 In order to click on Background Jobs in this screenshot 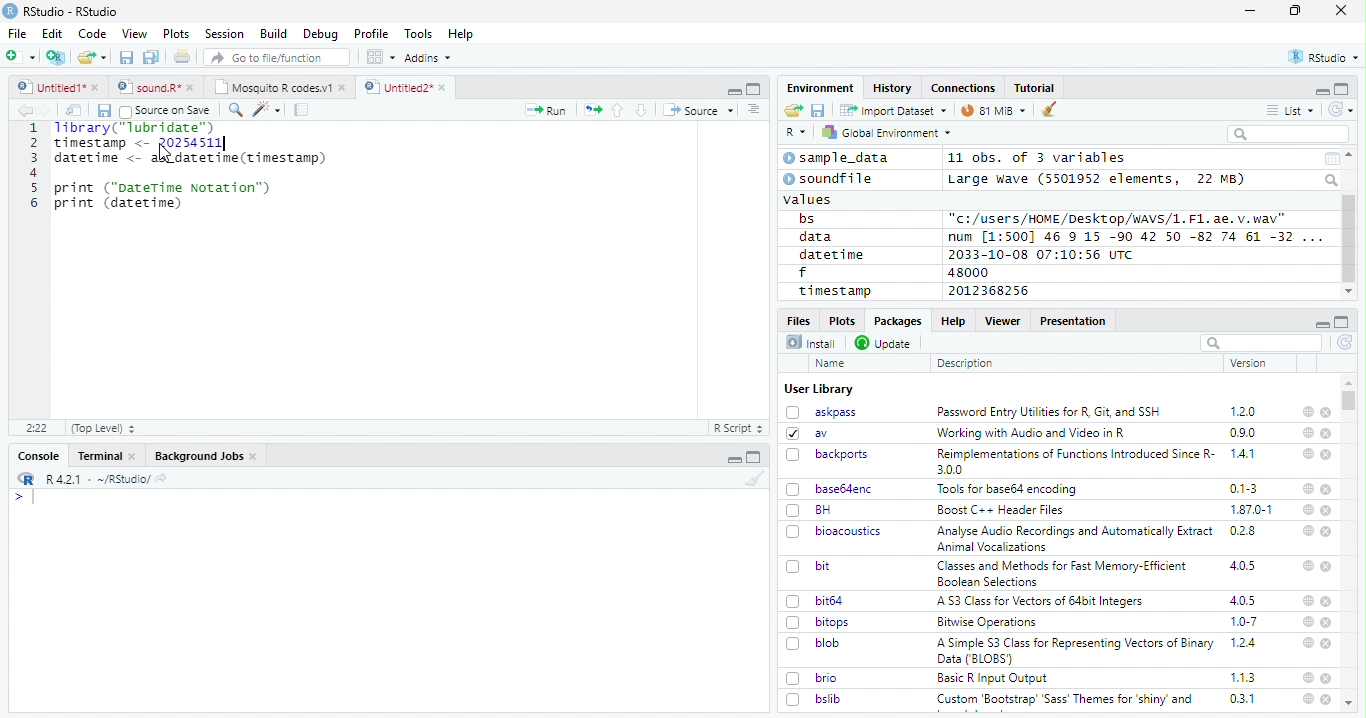, I will do `click(206, 456)`.